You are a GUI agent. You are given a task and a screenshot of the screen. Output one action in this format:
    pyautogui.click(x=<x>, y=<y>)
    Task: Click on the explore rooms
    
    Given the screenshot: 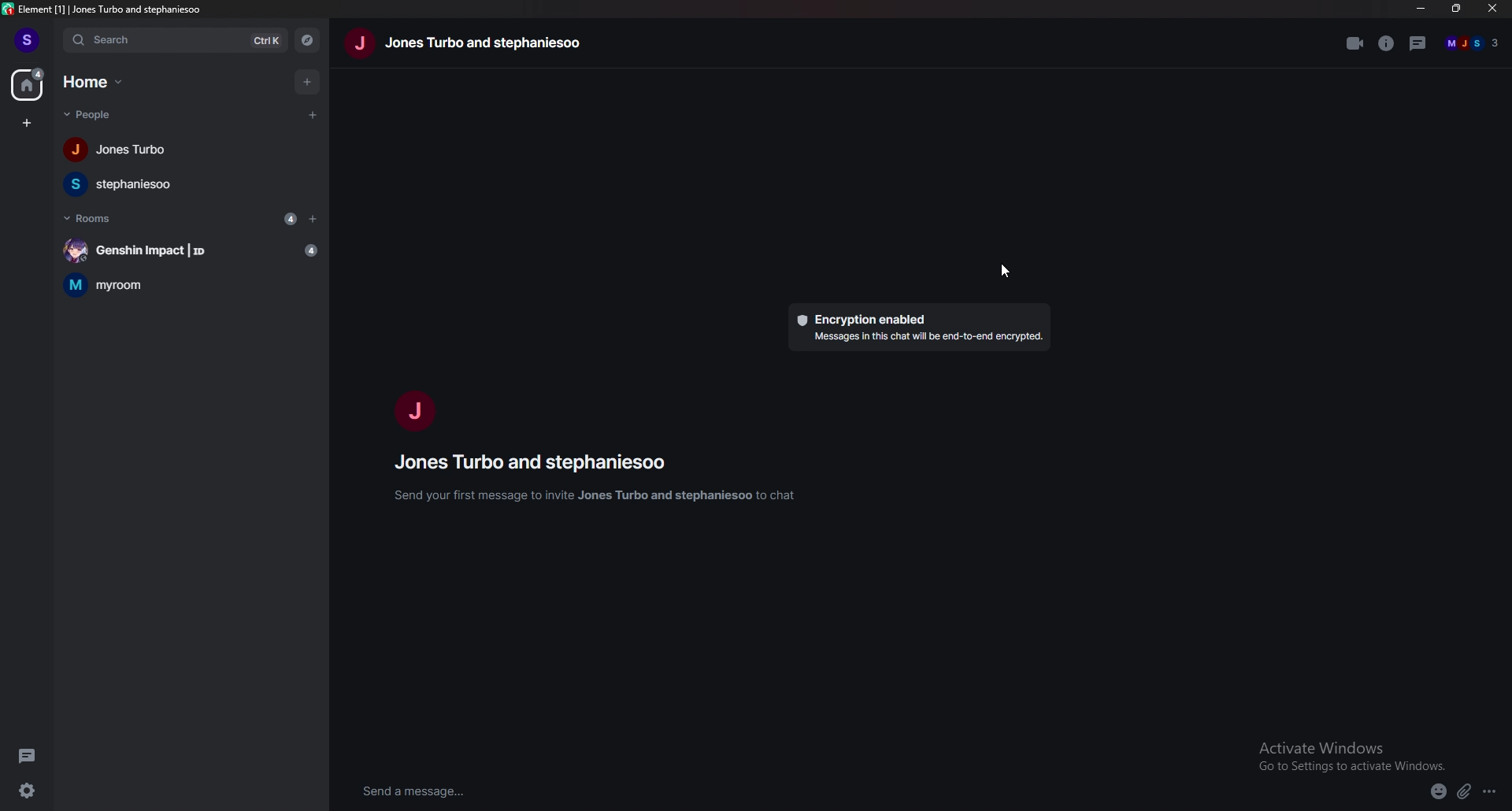 What is the action you would take?
    pyautogui.click(x=309, y=42)
    